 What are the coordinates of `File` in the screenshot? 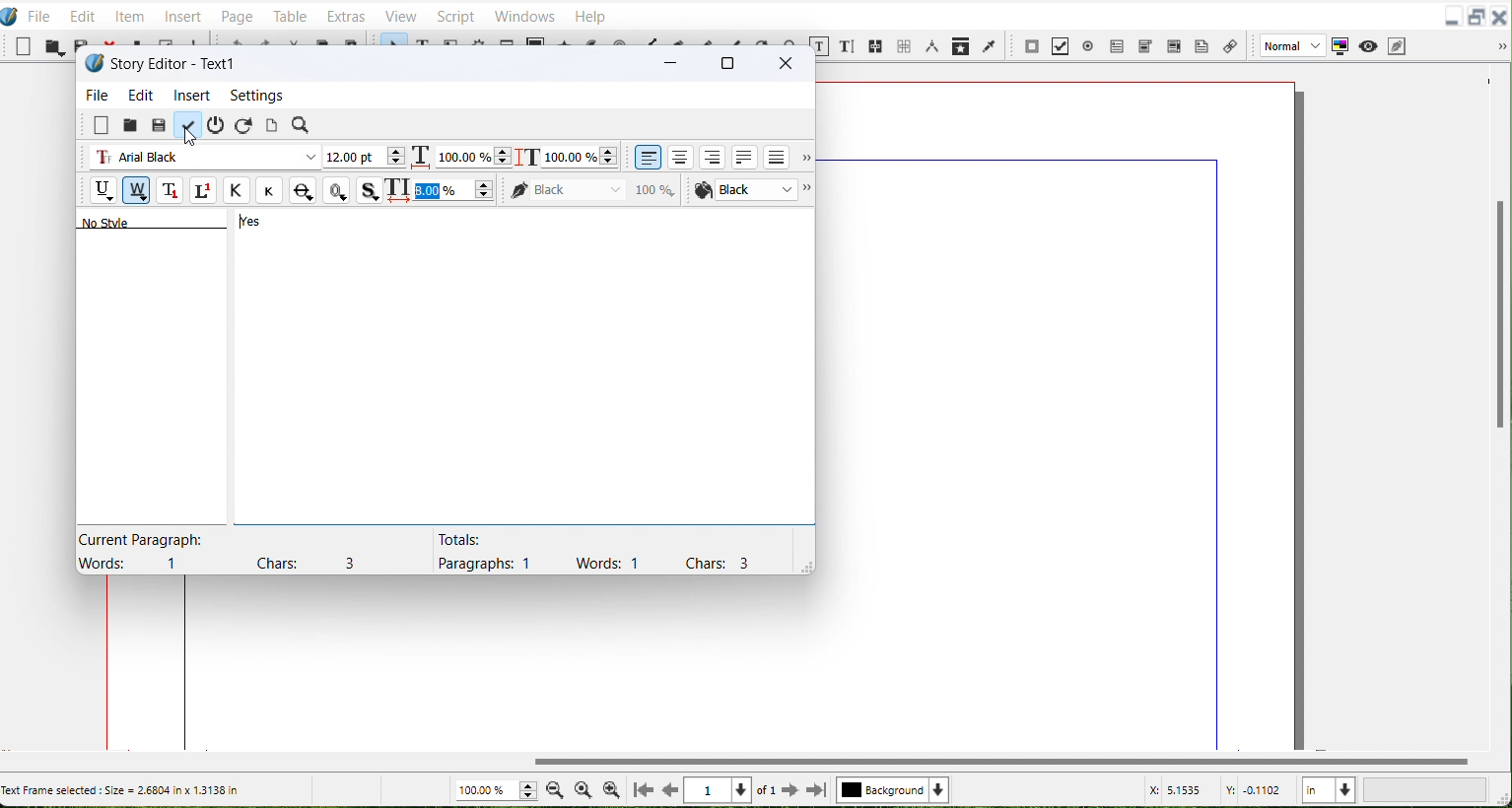 It's located at (98, 97).